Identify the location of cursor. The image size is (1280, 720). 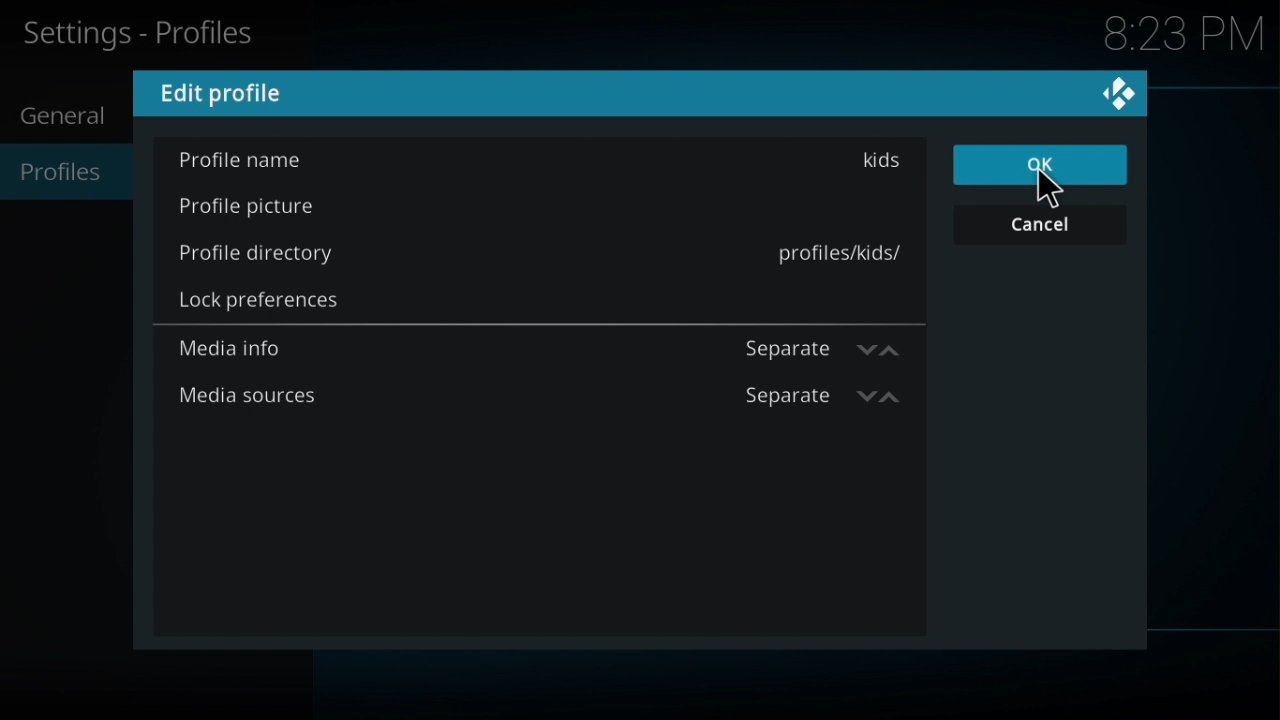
(1051, 188).